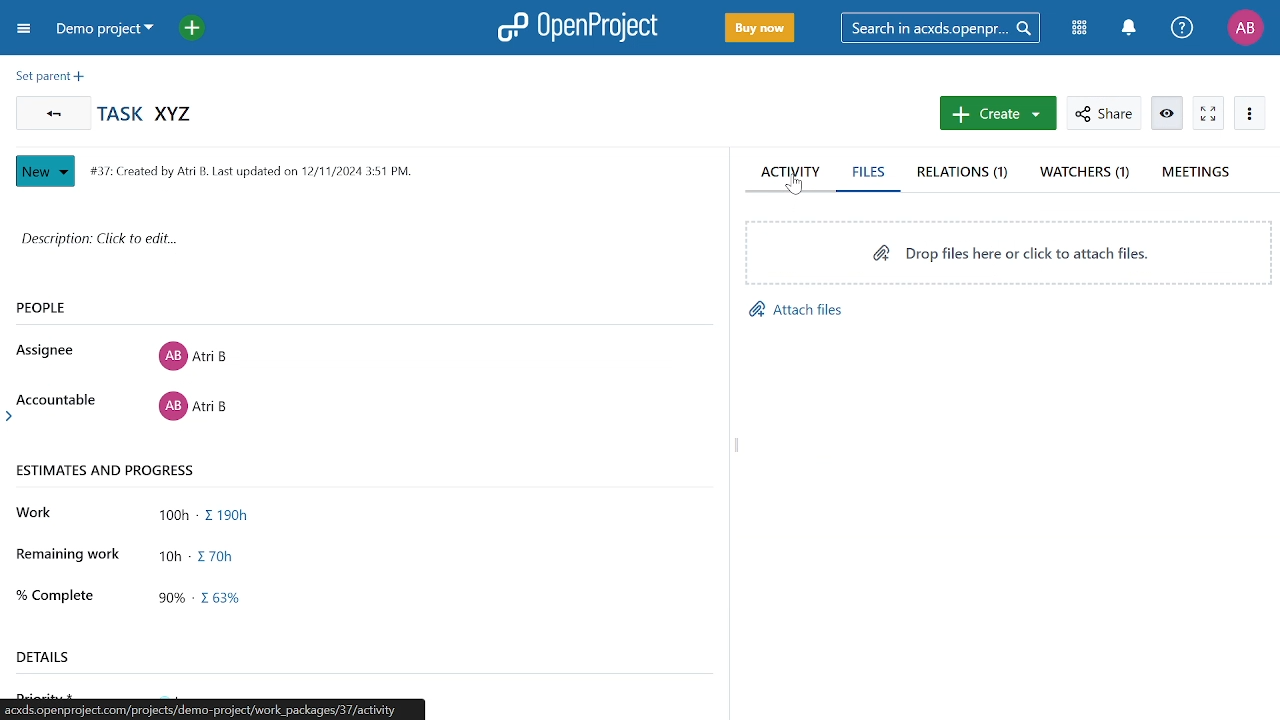 This screenshot has height=720, width=1280. Describe the element at coordinates (61, 397) in the screenshot. I see `Accountable` at that location.